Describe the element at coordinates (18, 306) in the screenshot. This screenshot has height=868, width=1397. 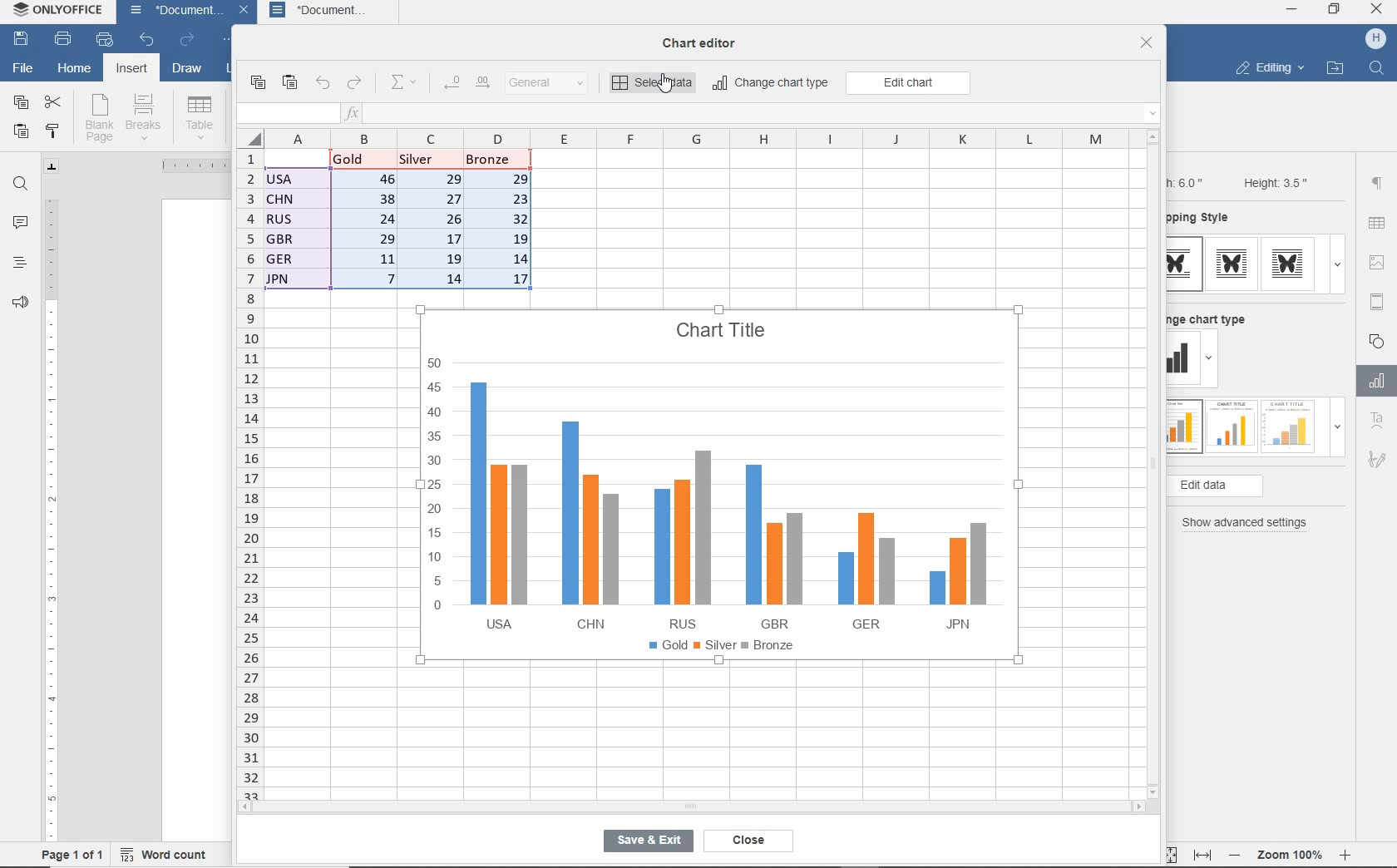
I see `feedback & support` at that location.